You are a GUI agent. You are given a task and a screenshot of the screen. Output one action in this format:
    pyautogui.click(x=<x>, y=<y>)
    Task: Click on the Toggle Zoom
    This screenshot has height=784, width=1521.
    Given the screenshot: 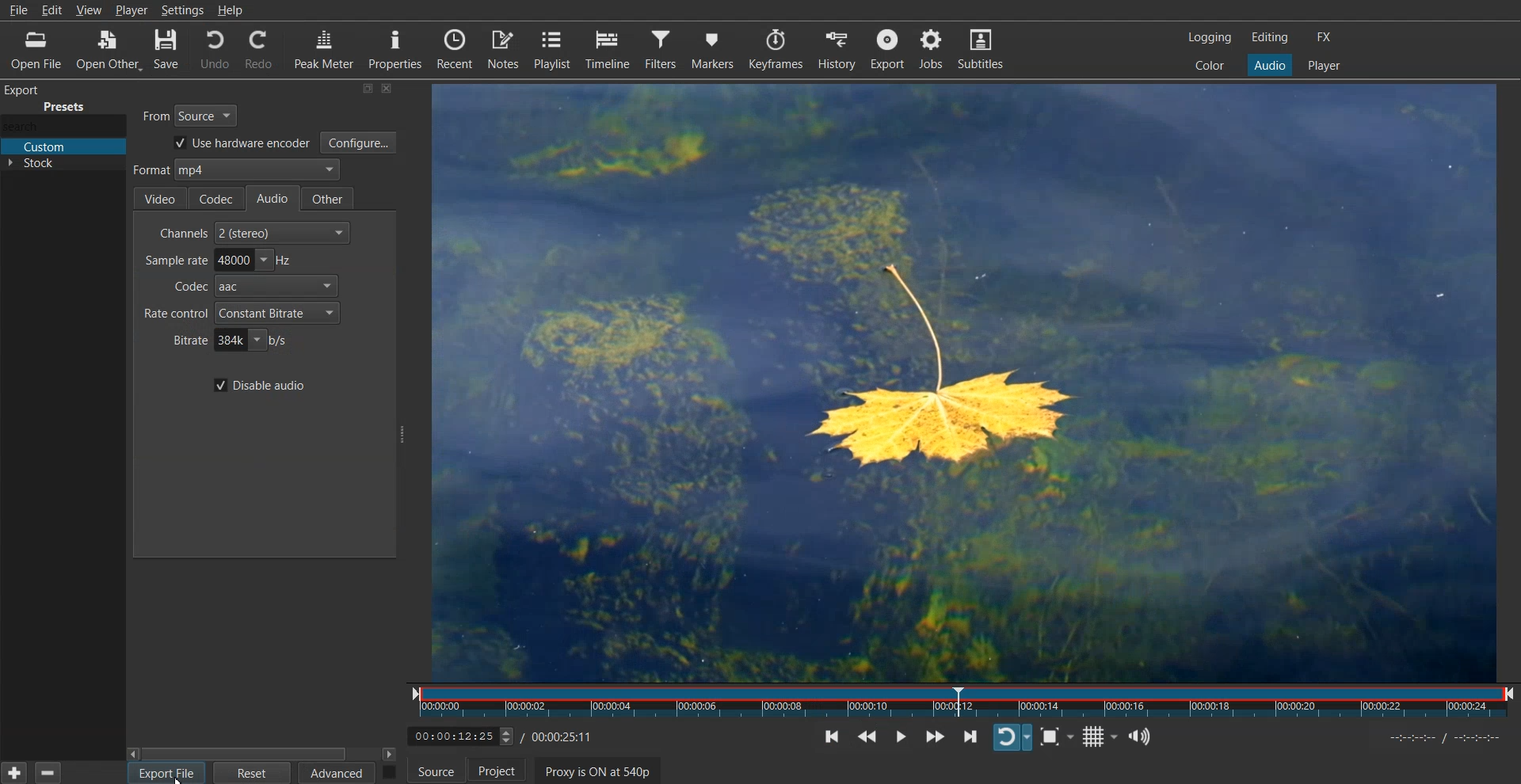 What is the action you would take?
    pyautogui.click(x=1060, y=737)
    